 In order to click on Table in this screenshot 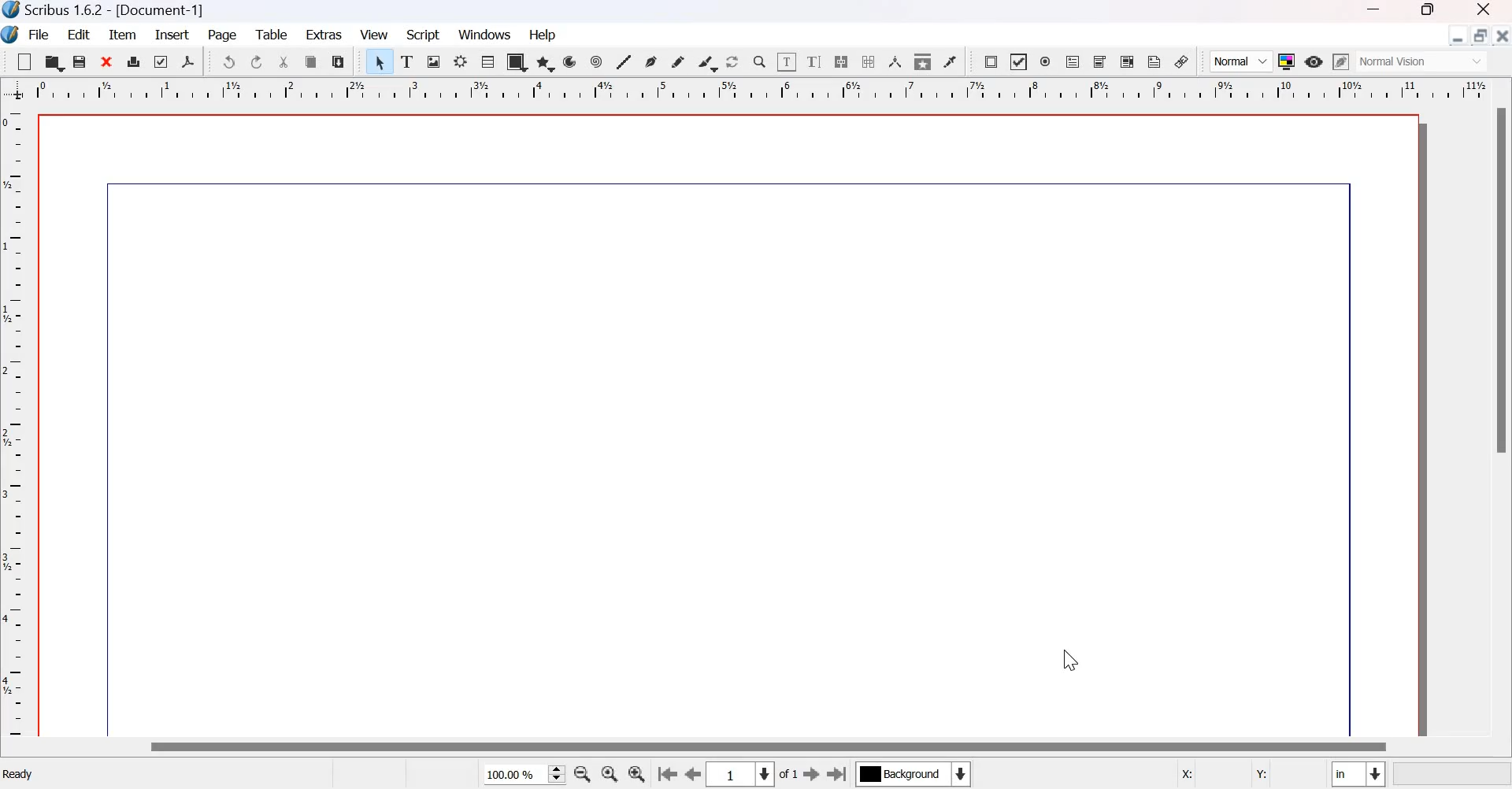, I will do `click(273, 33)`.